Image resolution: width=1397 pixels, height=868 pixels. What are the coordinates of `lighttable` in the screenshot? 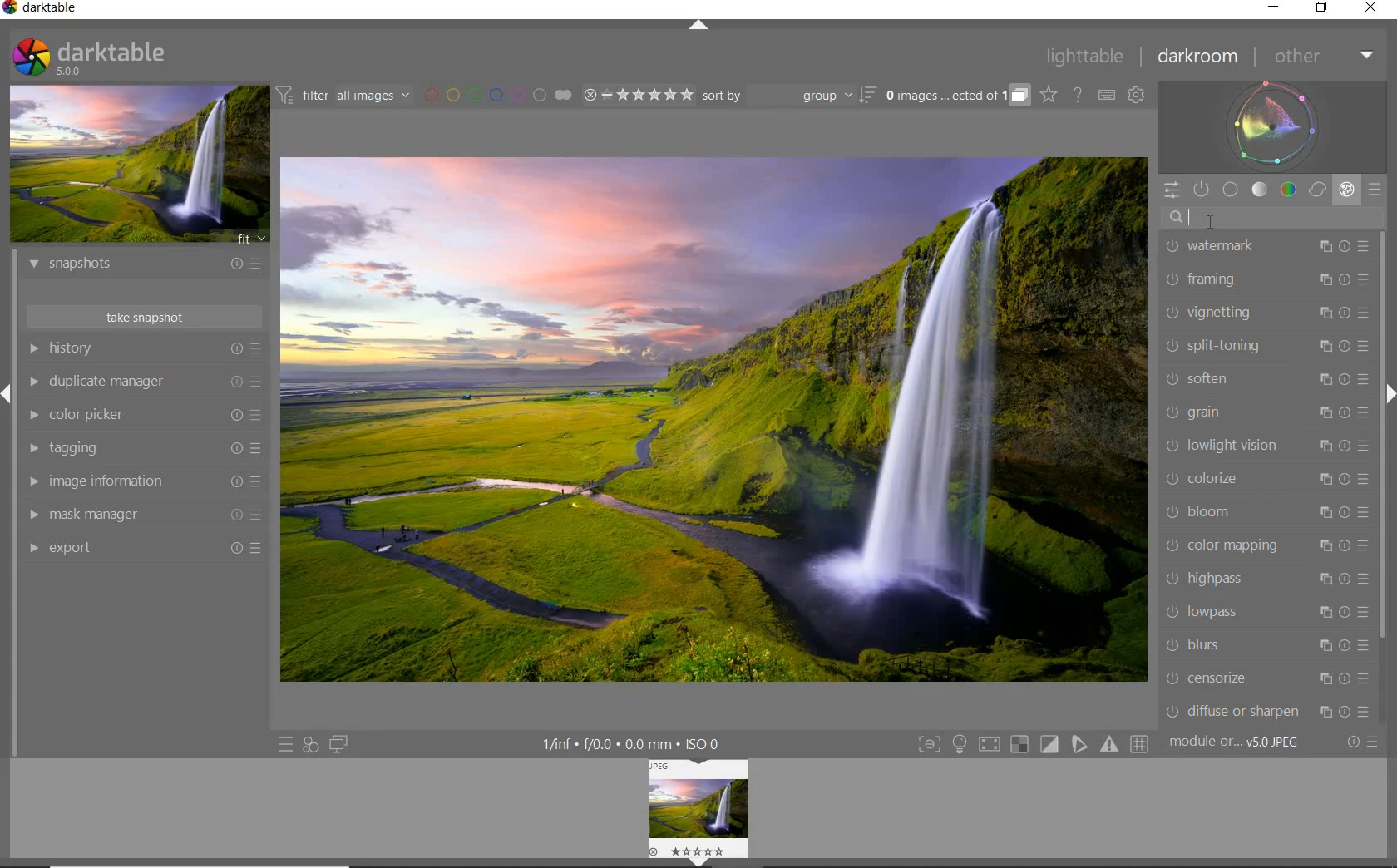 It's located at (1089, 57).